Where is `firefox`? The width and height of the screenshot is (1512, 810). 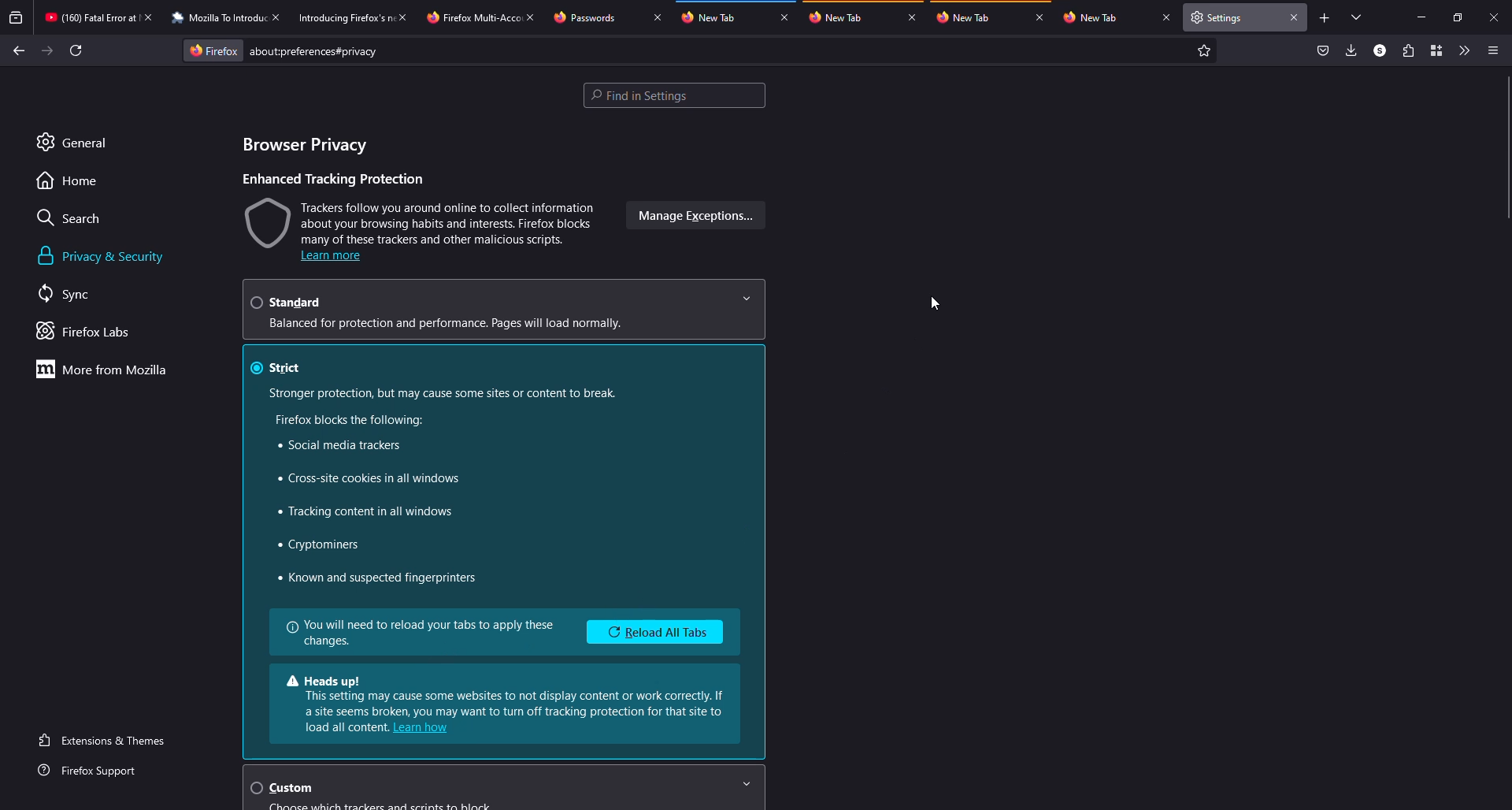 firefox is located at coordinates (213, 49).